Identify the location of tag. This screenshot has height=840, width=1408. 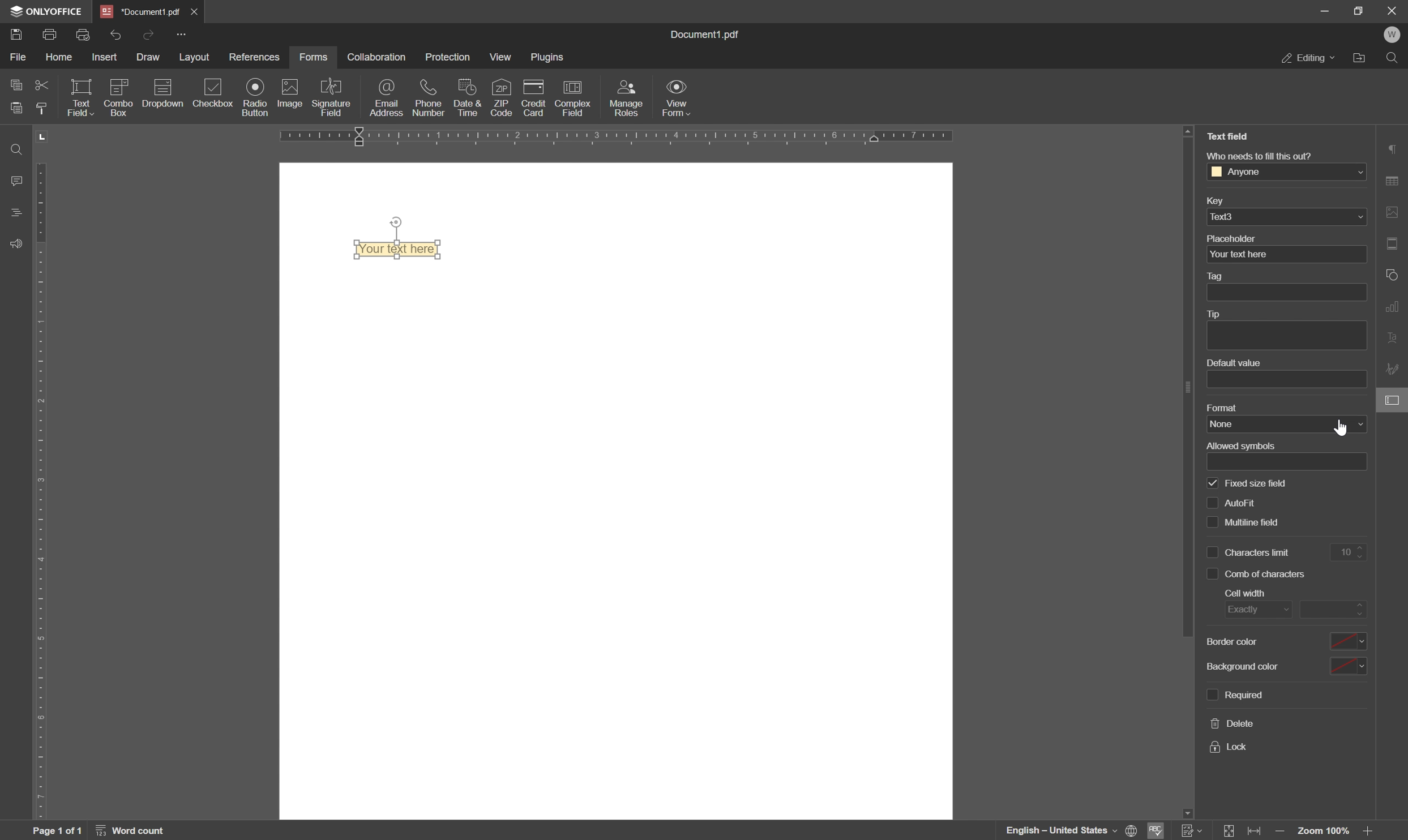
(1218, 277).